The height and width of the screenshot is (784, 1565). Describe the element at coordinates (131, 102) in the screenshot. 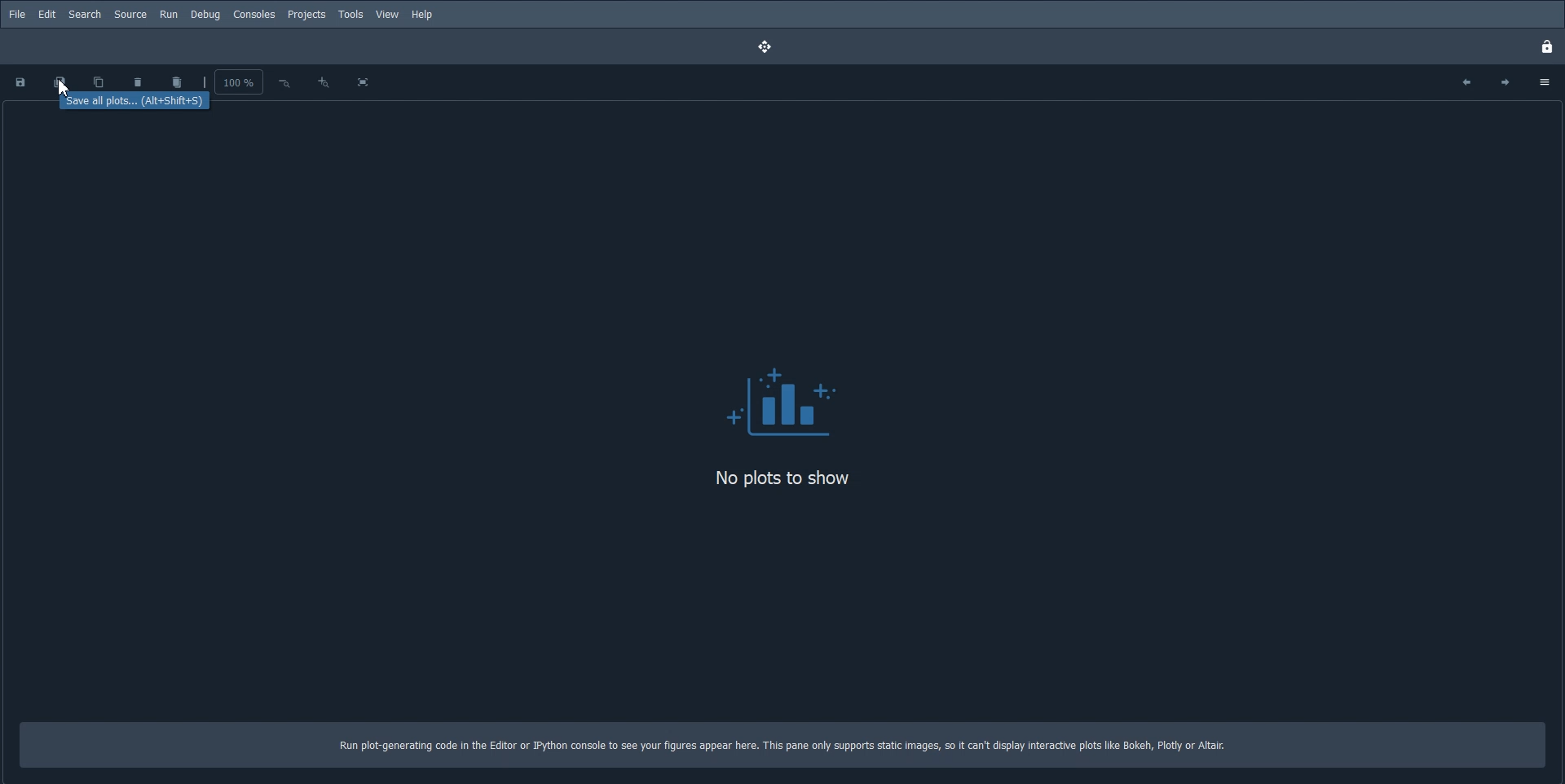

I see `Save all plots. (Alt+Shift+S)` at that location.